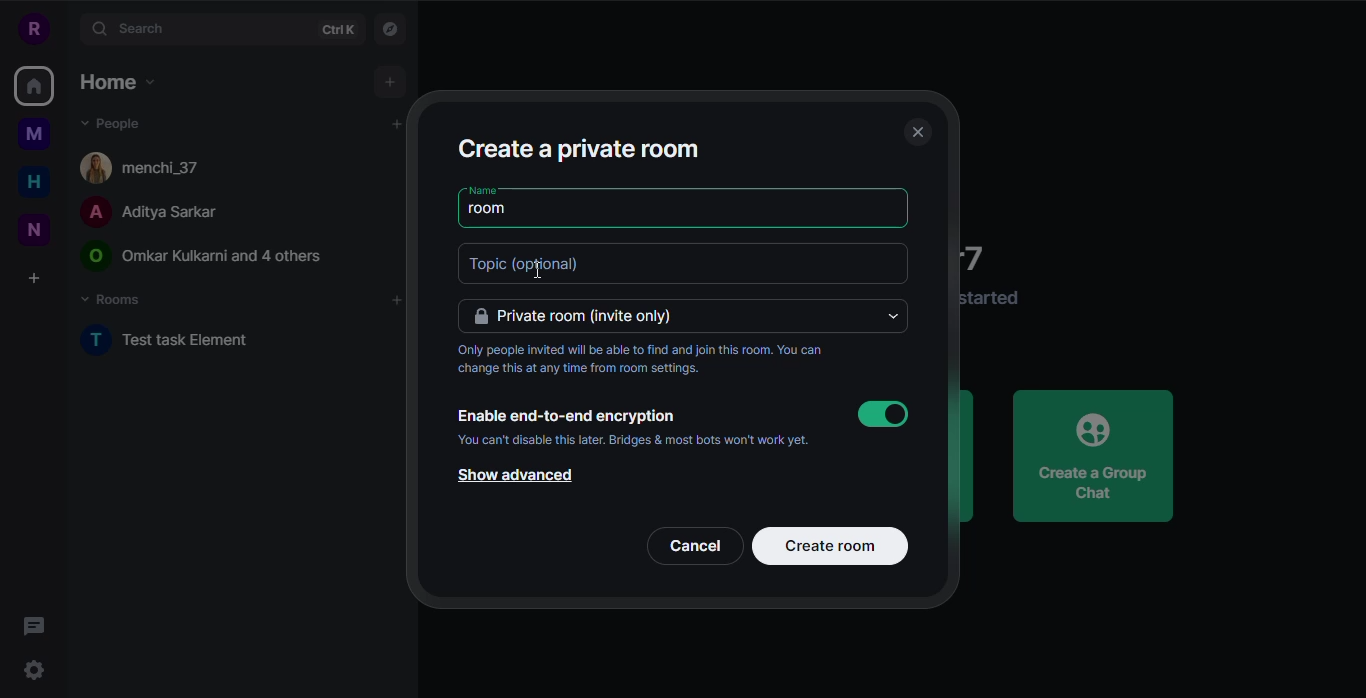 This screenshot has height=698, width=1366. Describe the element at coordinates (395, 30) in the screenshot. I see `navigator` at that location.